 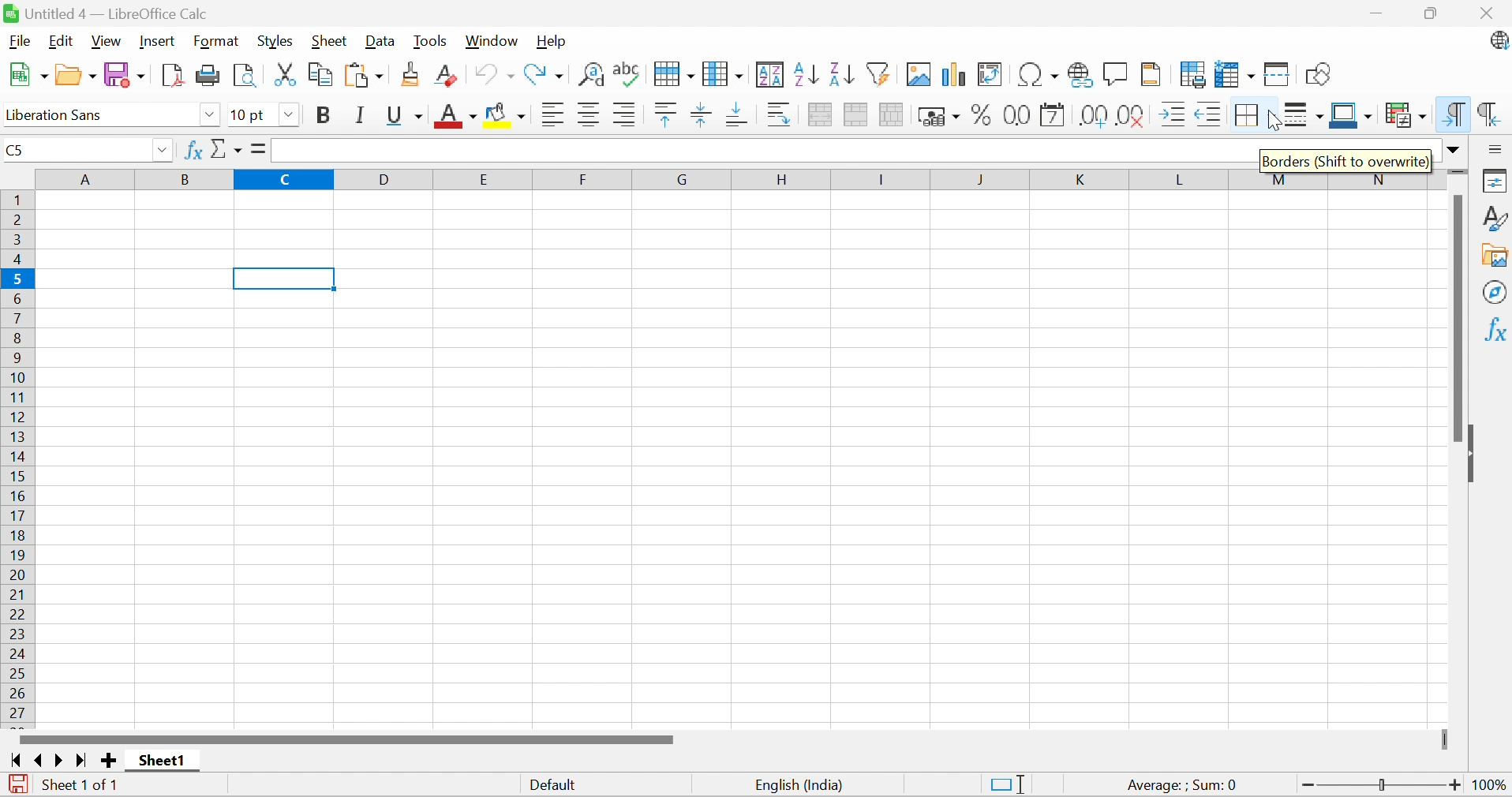 I want to click on Autofiller, so click(x=877, y=73).